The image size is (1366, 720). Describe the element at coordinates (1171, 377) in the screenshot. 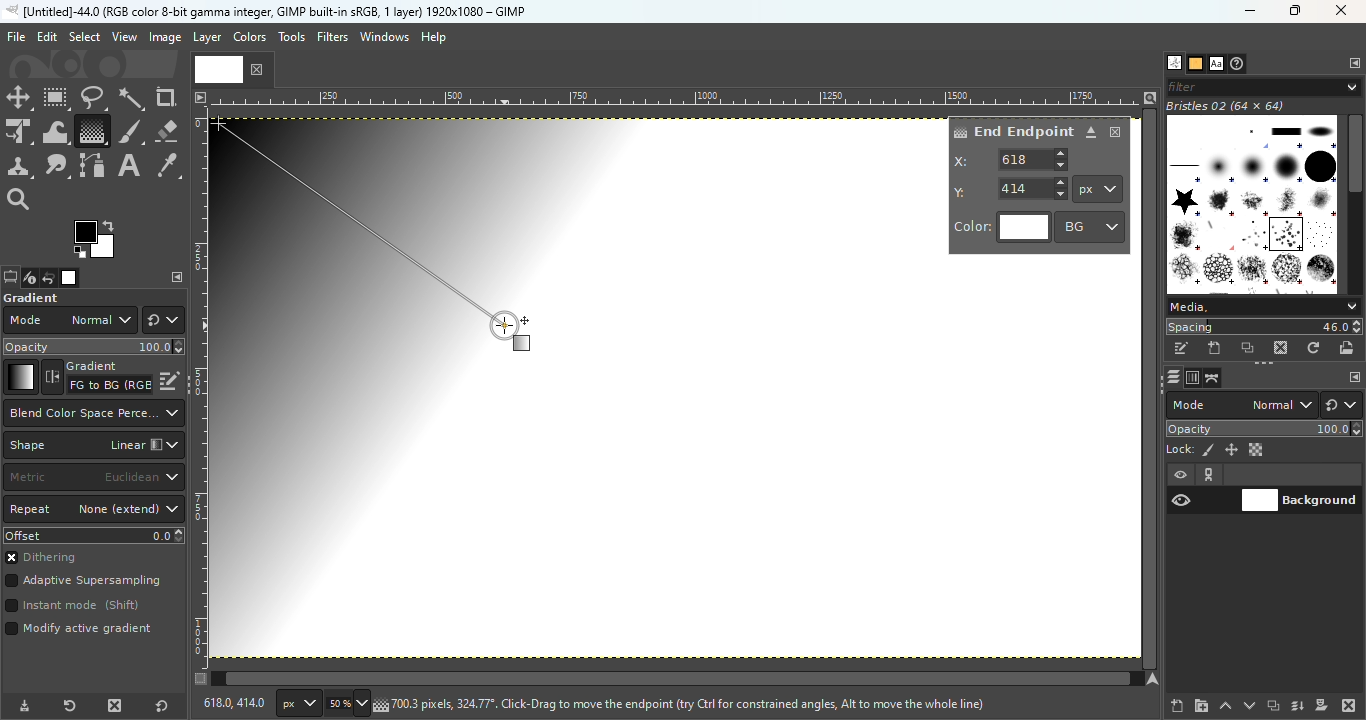

I see `Open the layers dialog` at that location.